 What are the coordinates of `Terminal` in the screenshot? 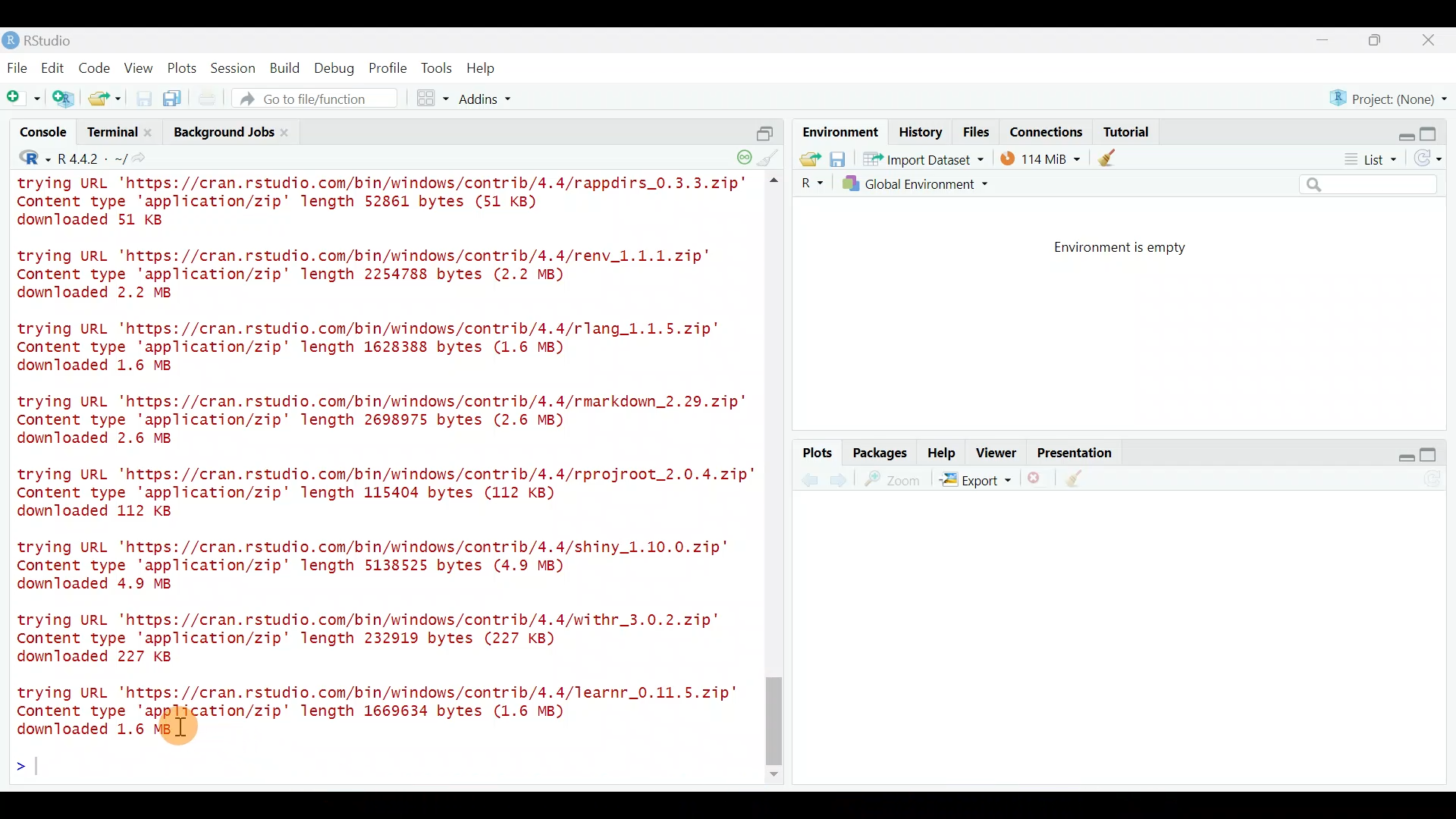 It's located at (111, 134).